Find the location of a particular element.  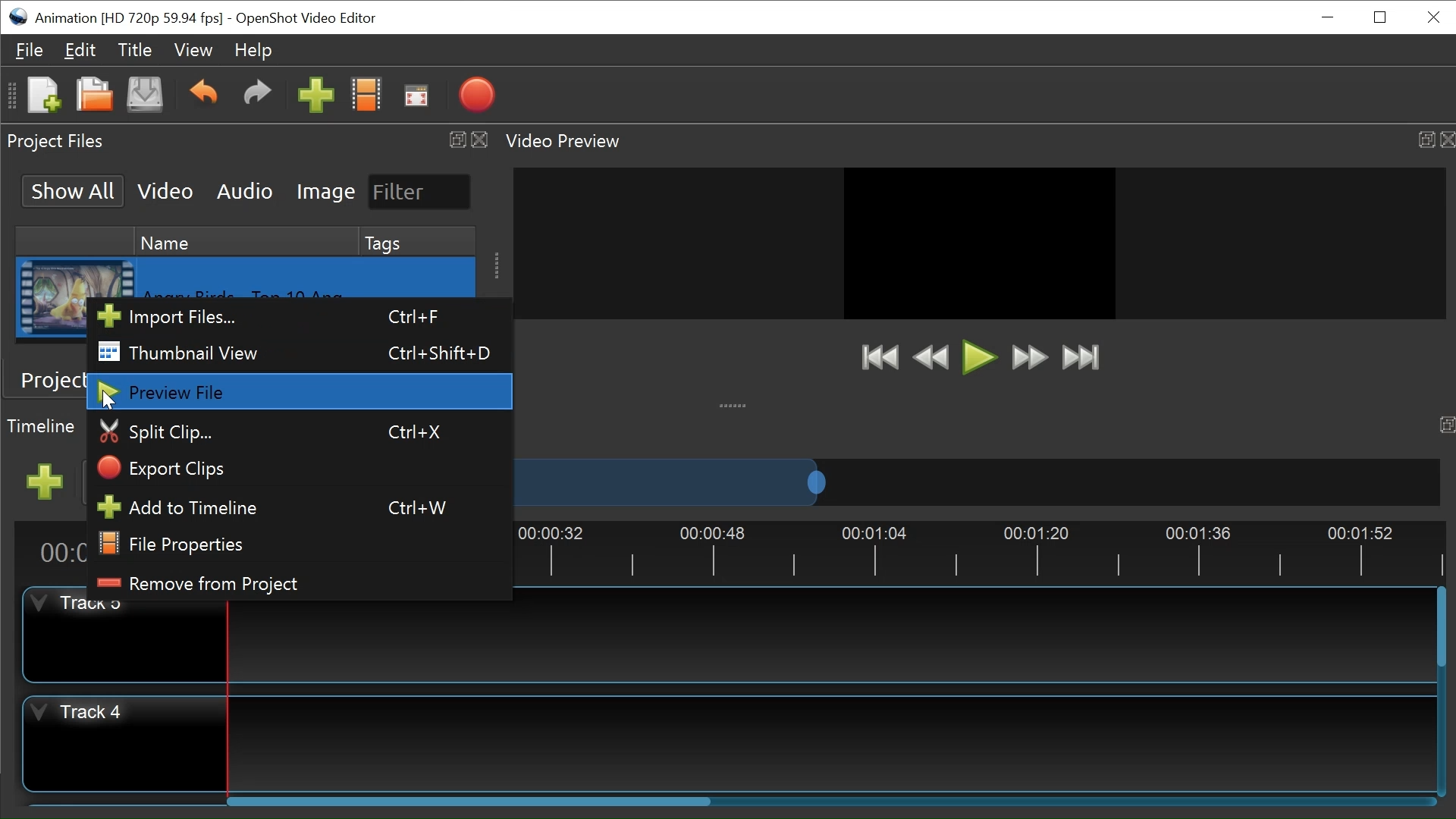

Video Previe Panel is located at coordinates (573, 140).